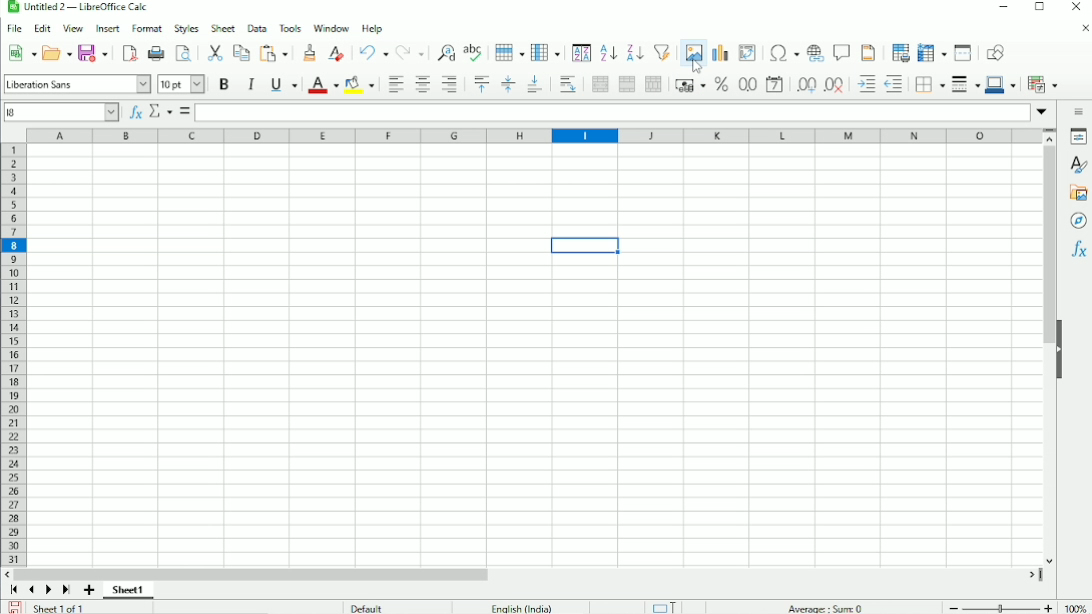 Image resolution: width=1092 pixels, height=614 pixels. I want to click on Scroll to first sheet, so click(14, 590).